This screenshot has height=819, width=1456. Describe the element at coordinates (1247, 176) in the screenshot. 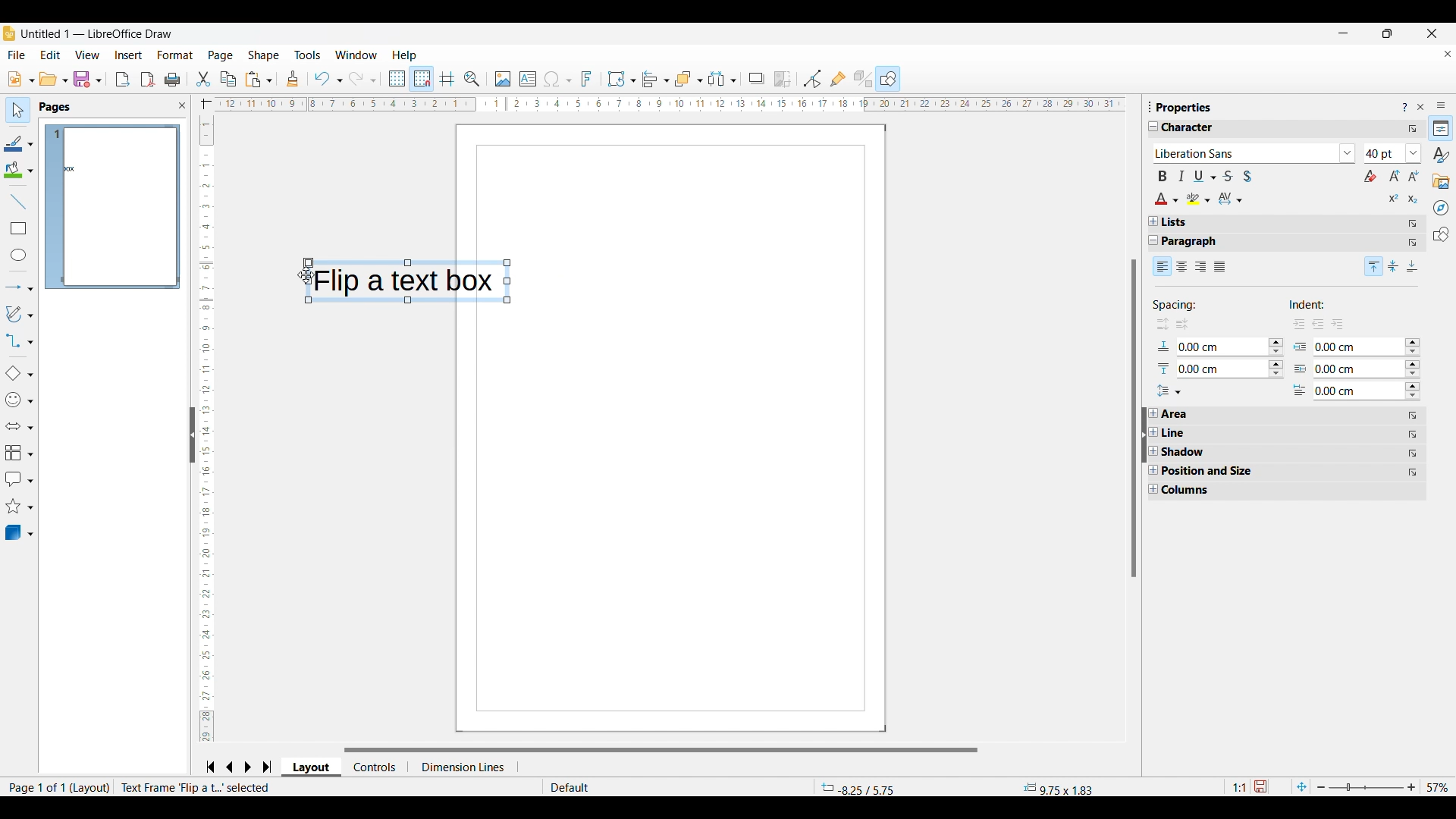

I see `Toggle shadow` at that location.